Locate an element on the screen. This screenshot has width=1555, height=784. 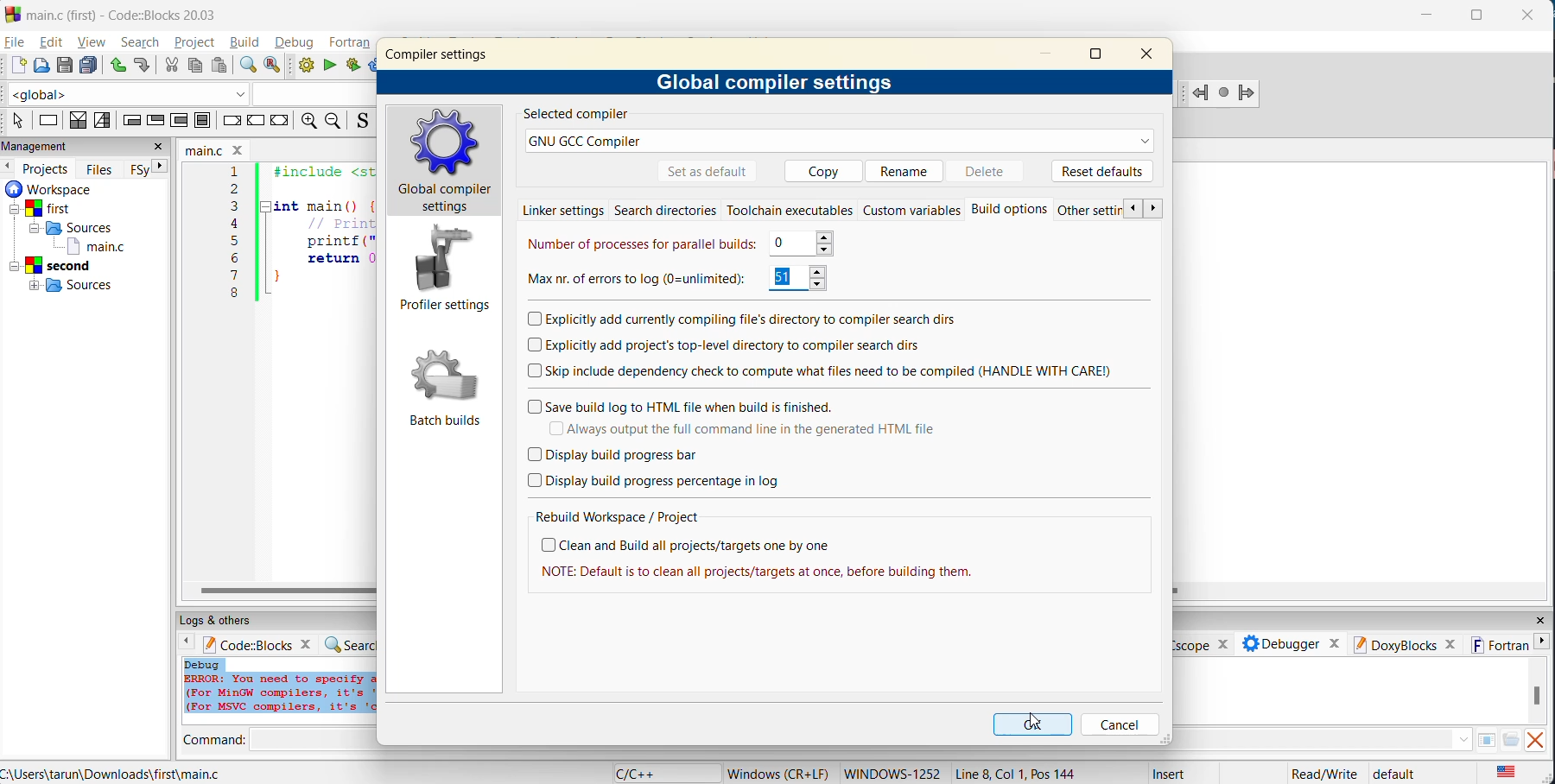
text language is located at coordinates (1509, 774).